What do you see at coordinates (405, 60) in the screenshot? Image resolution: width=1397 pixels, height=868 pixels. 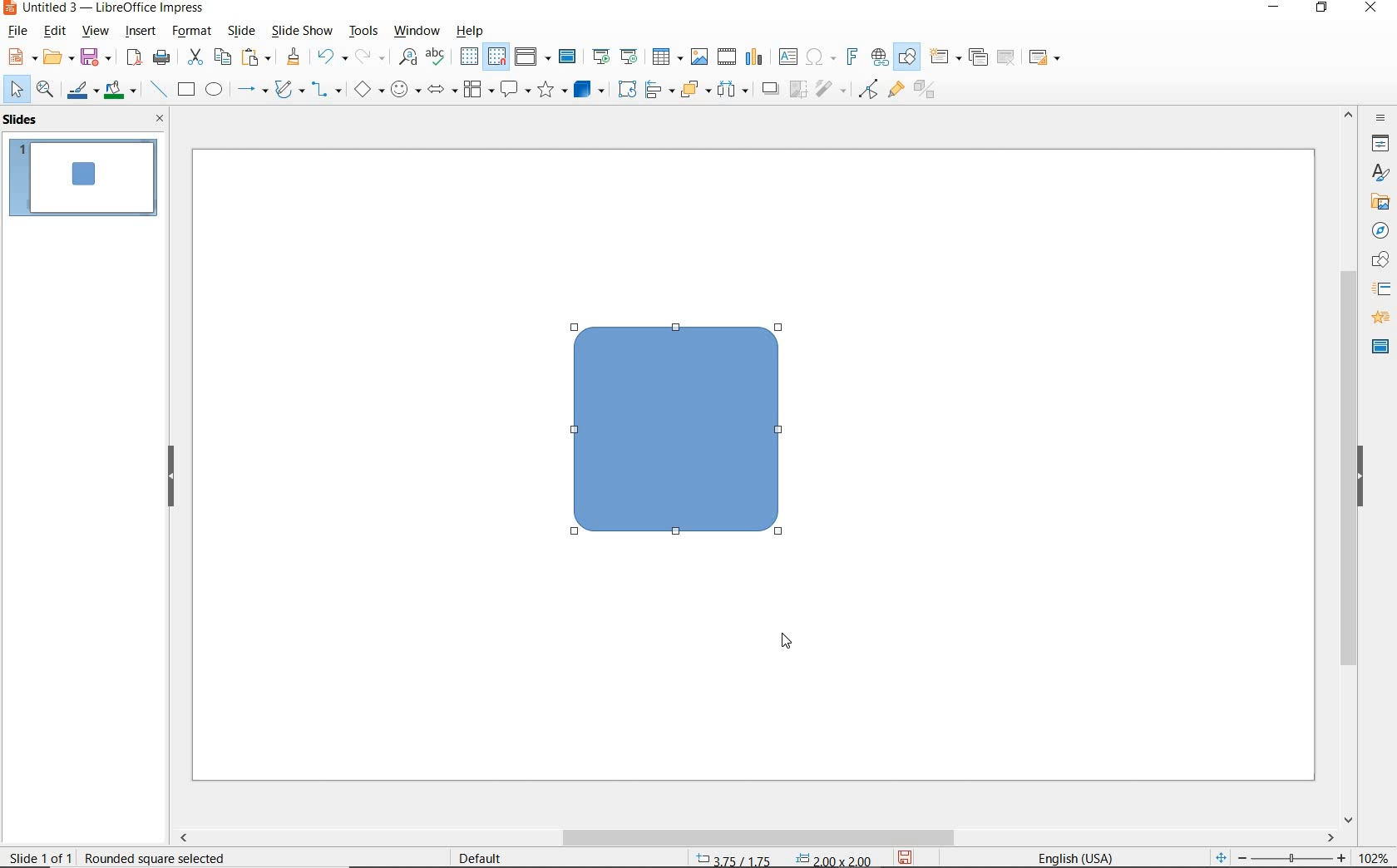 I see `find and replace` at bounding box center [405, 60].